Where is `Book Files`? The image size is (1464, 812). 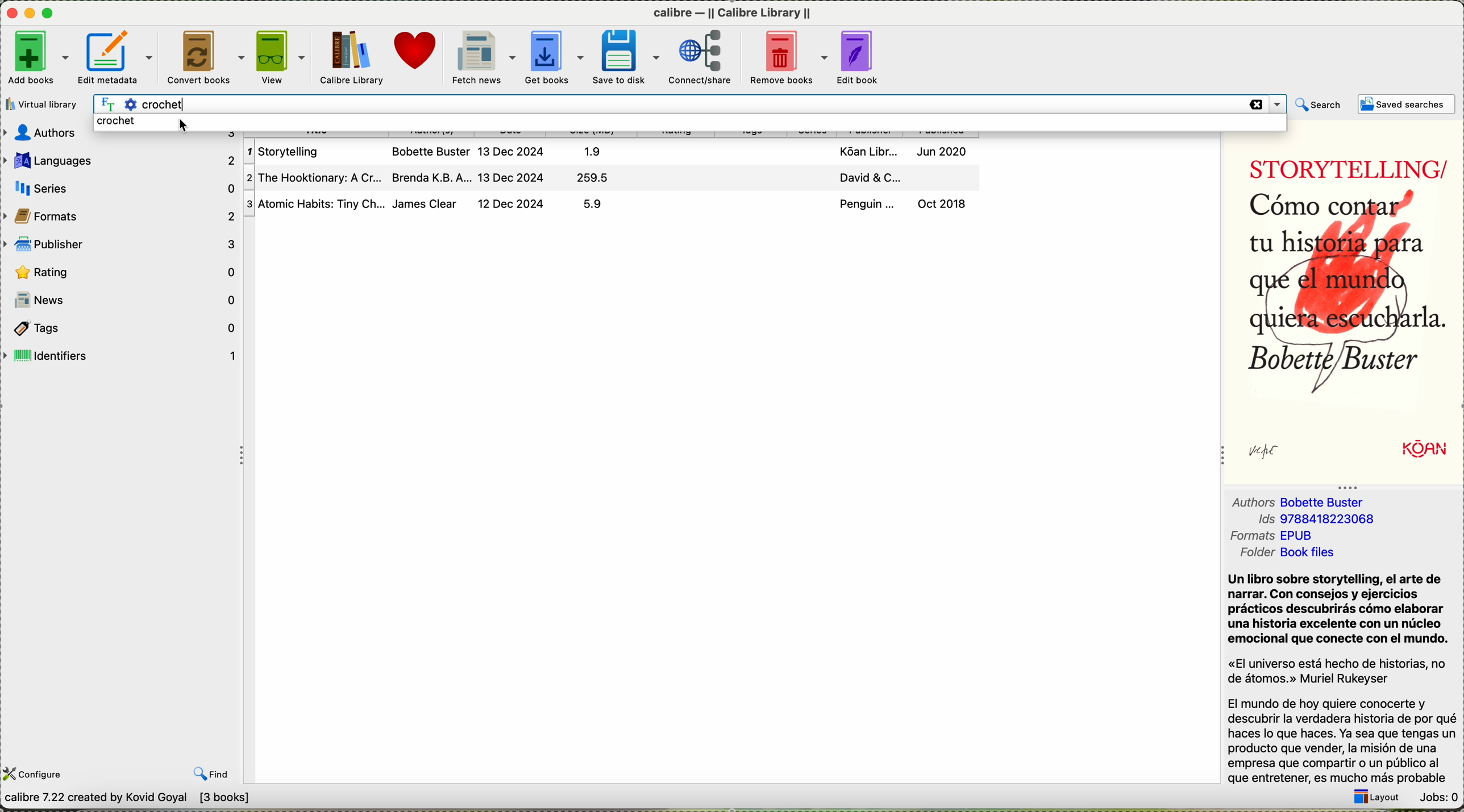
Book Files is located at coordinates (1309, 554).